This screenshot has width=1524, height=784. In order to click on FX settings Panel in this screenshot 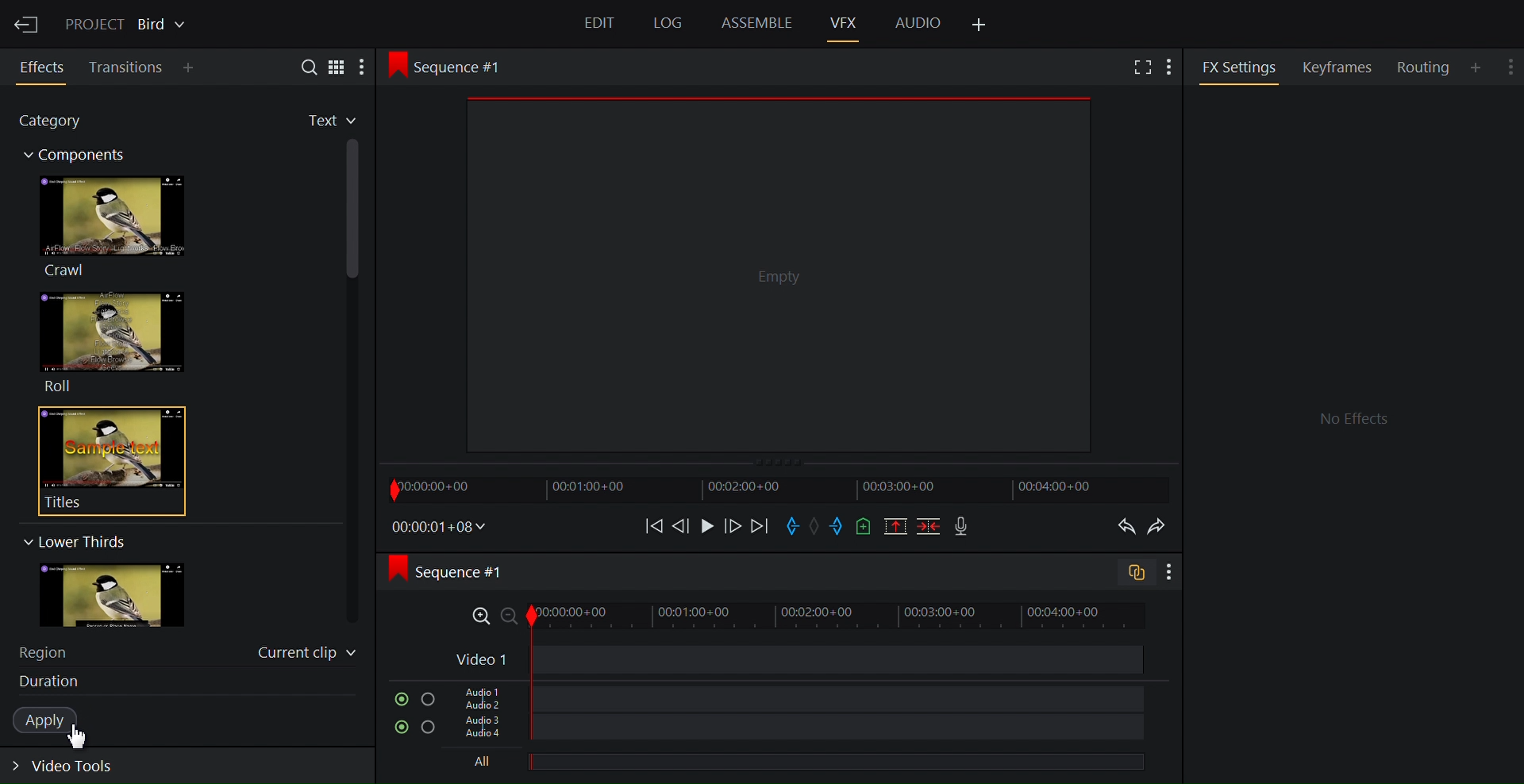, I will do `click(1352, 430)`.